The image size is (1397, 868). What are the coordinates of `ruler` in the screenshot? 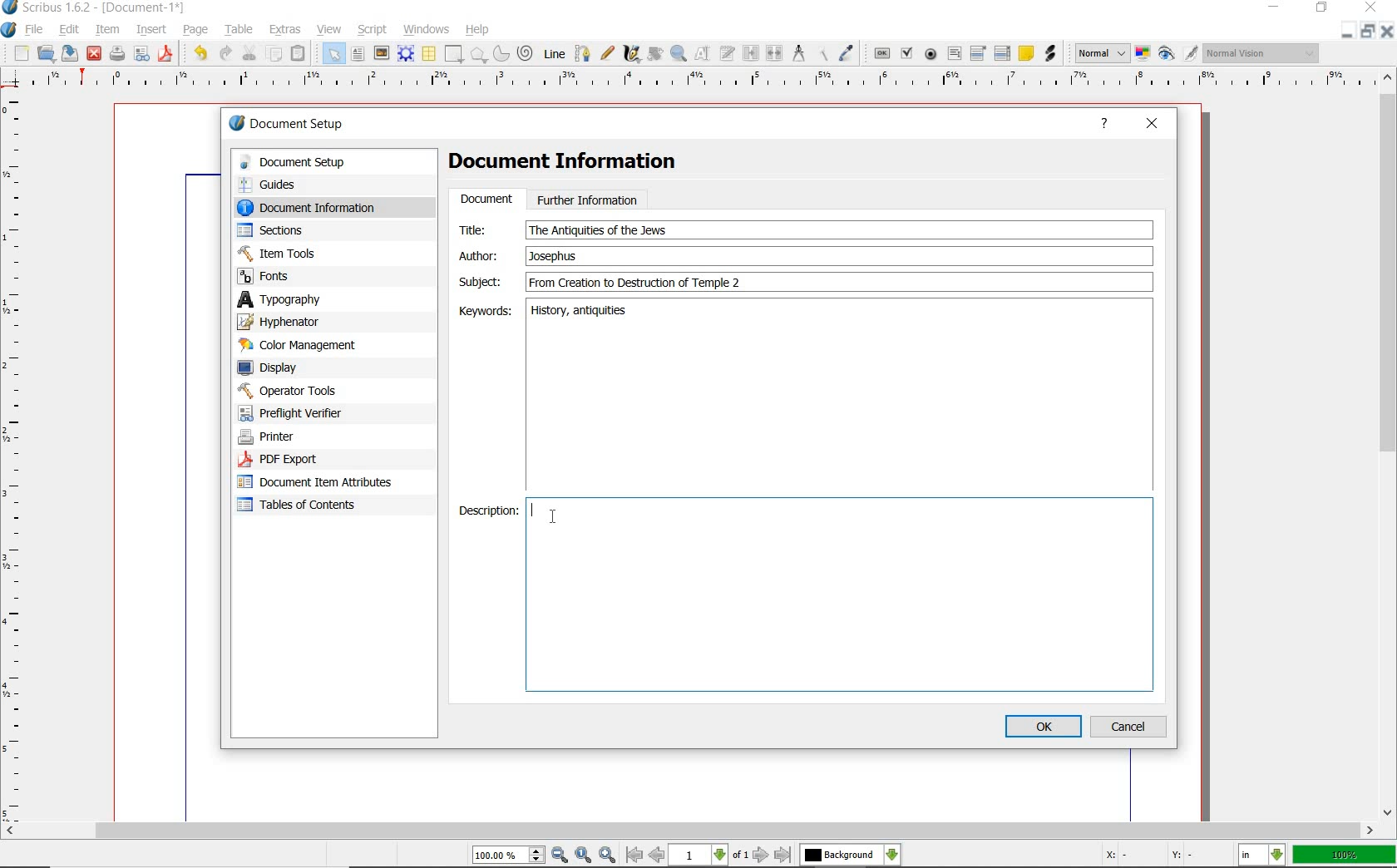 It's located at (705, 83).